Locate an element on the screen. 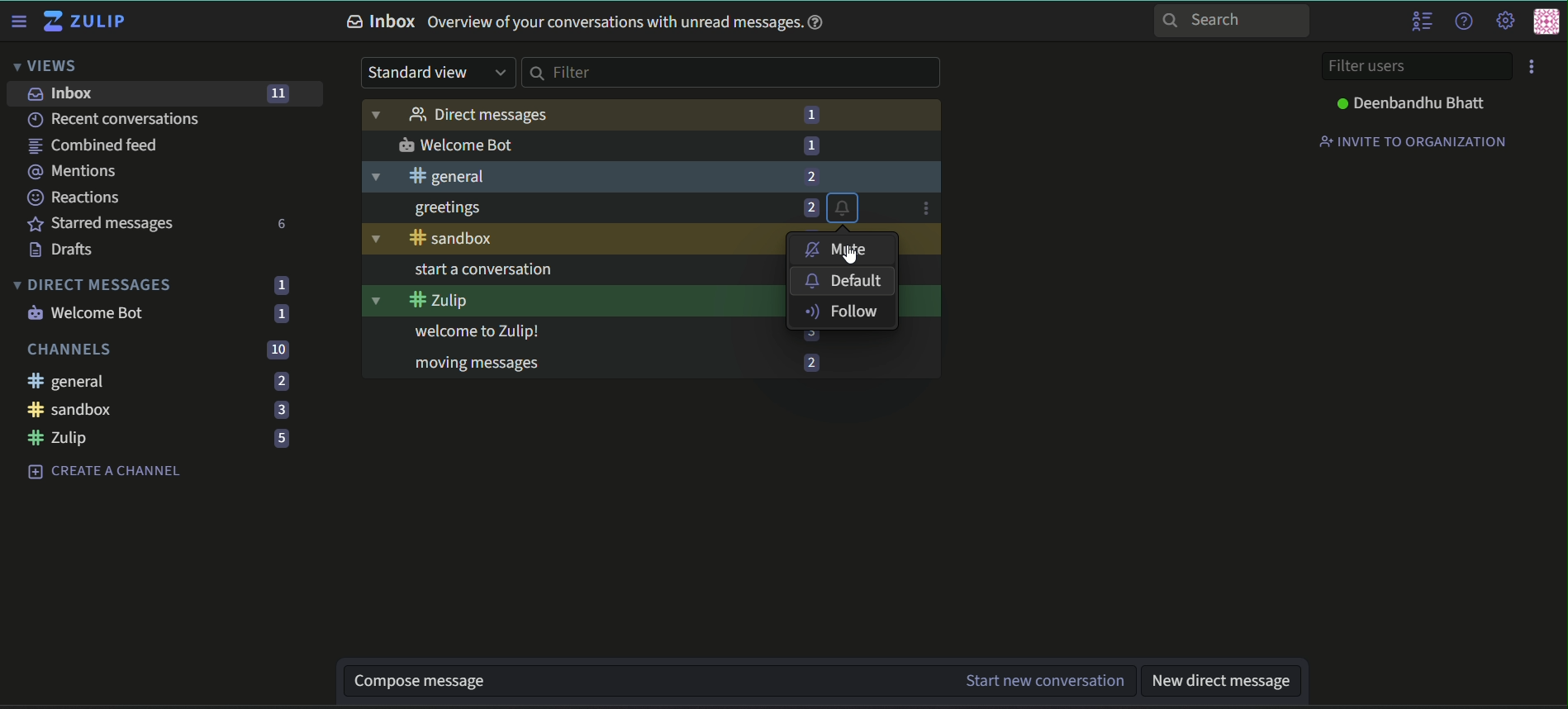 This screenshot has height=709, width=1568. Direct Messages is located at coordinates (93, 284).